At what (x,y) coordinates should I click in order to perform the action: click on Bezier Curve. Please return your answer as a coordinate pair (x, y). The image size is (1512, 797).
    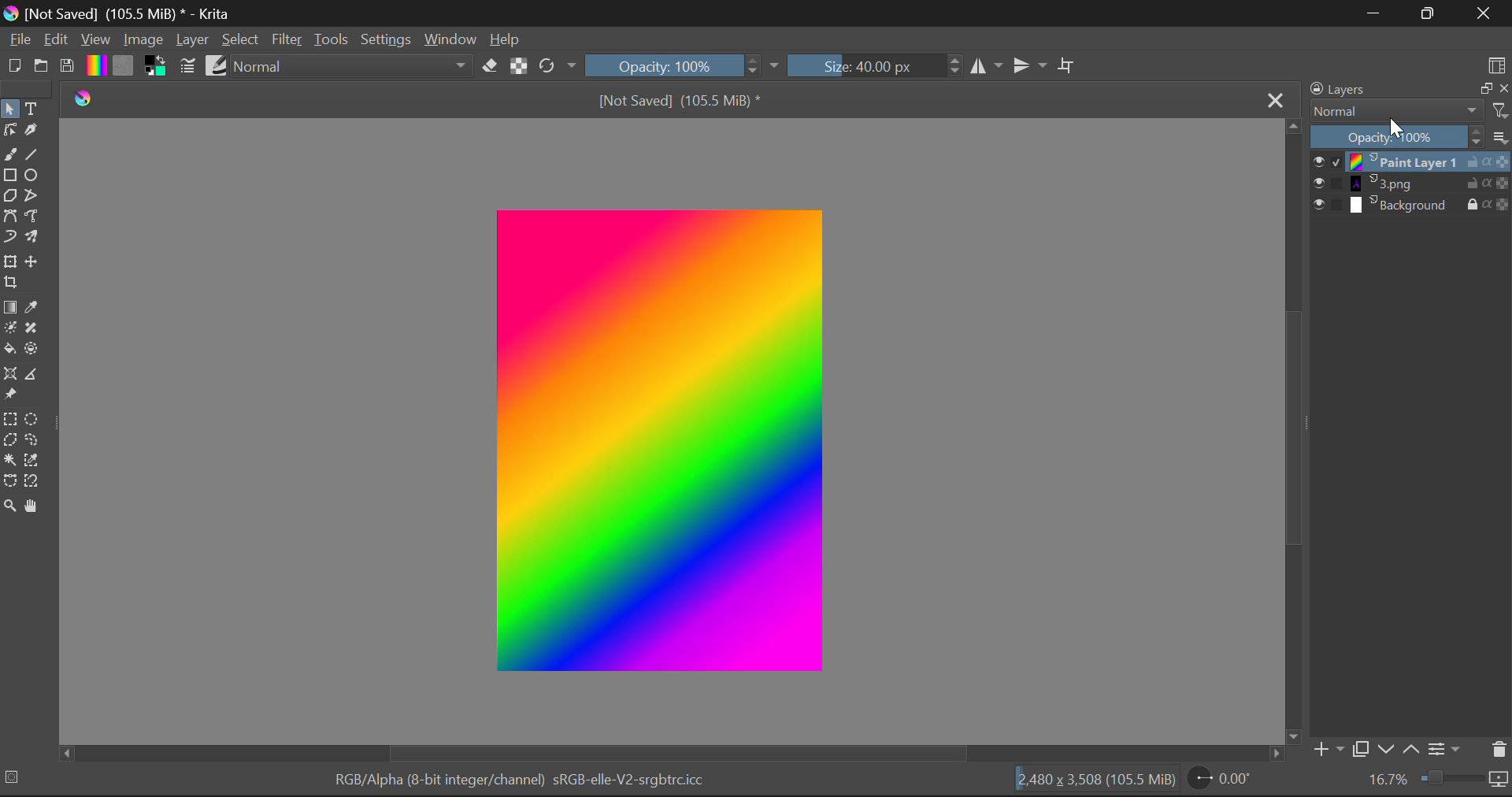
    Looking at the image, I should click on (10, 216).